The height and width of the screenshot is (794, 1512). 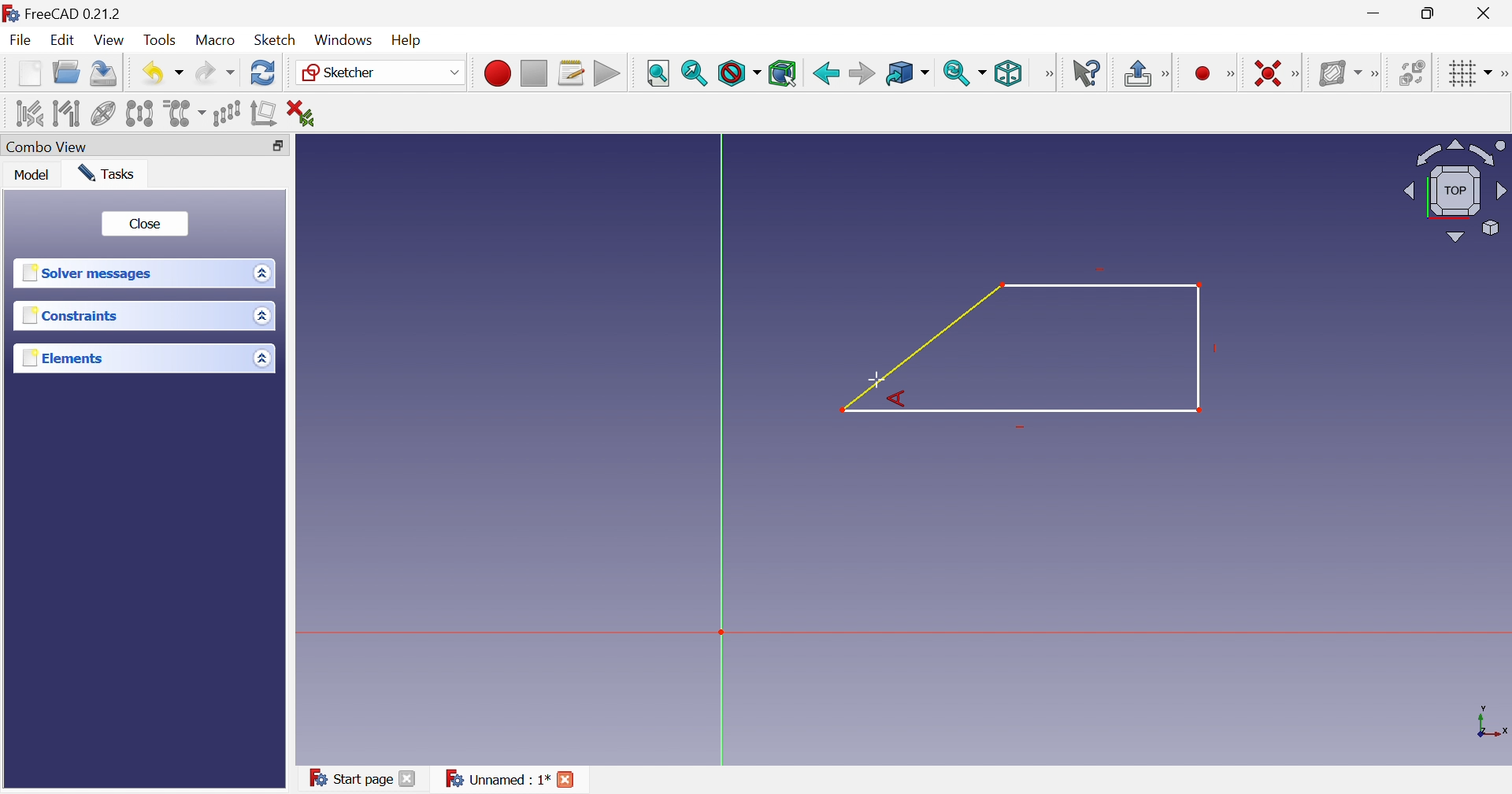 What do you see at coordinates (784, 72) in the screenshot?
I see `Bounding box` at bounding box center [784, 72].